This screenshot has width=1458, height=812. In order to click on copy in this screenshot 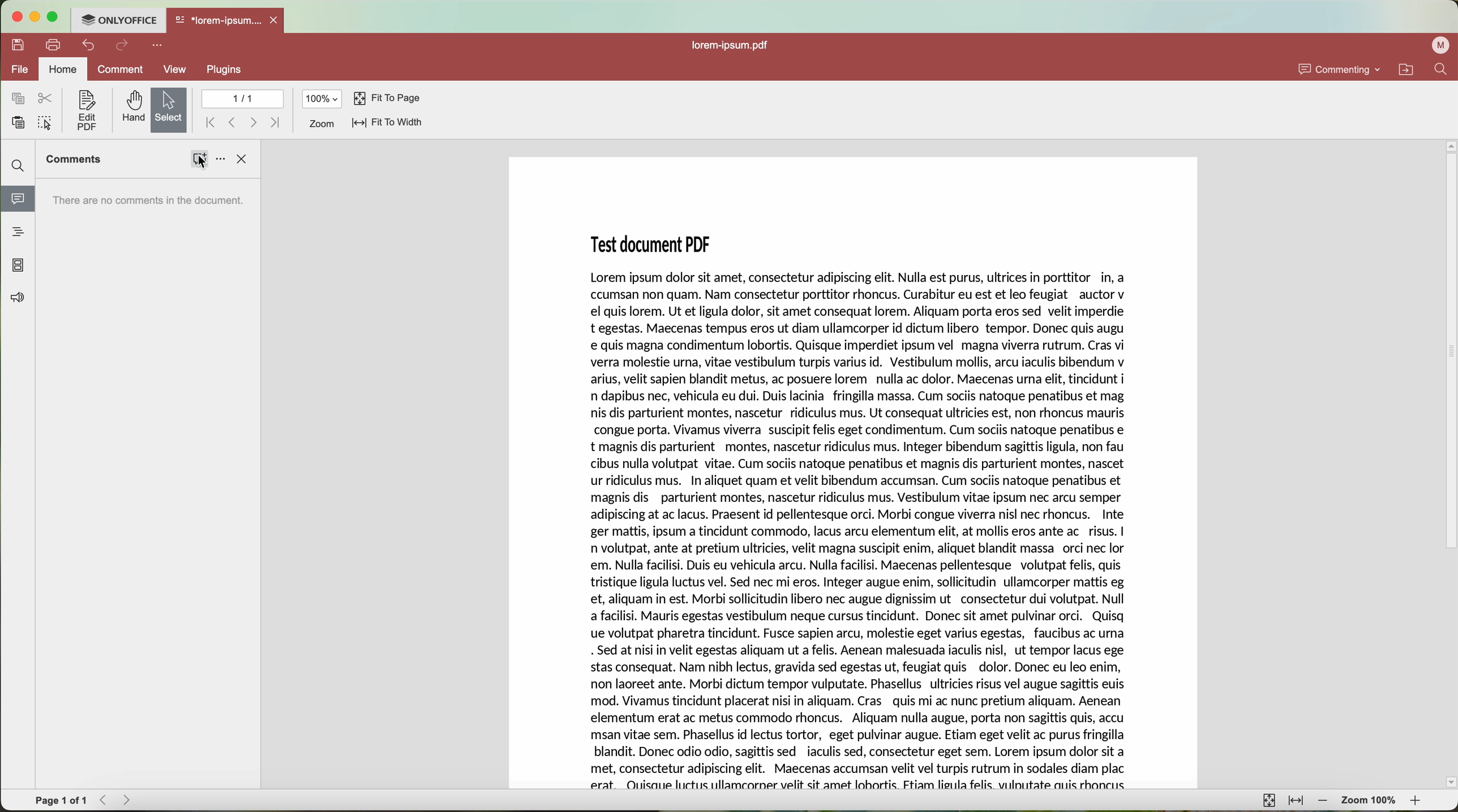, I will do `click(18, 98)`.